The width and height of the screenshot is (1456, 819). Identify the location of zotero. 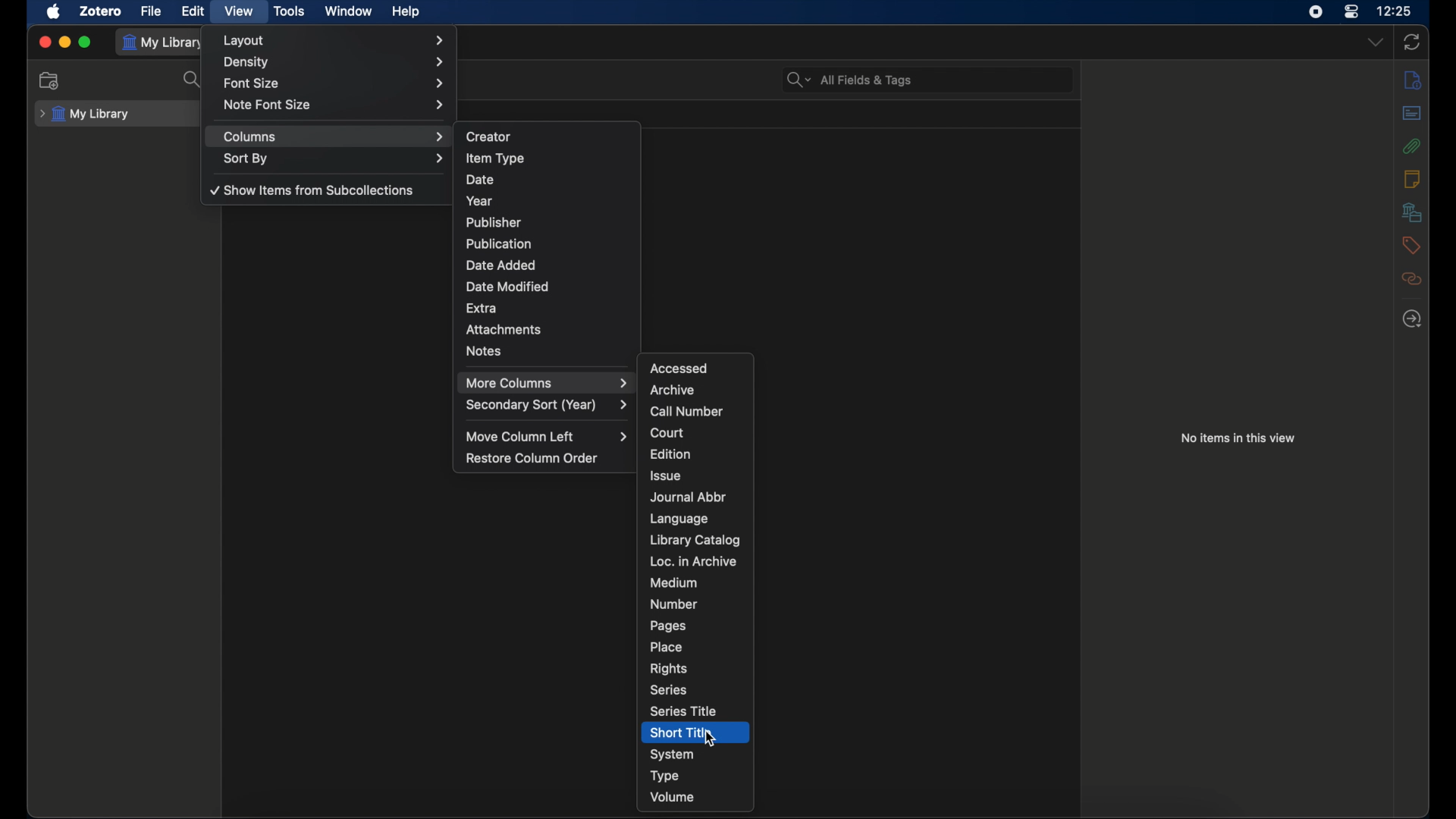
(101, 11).